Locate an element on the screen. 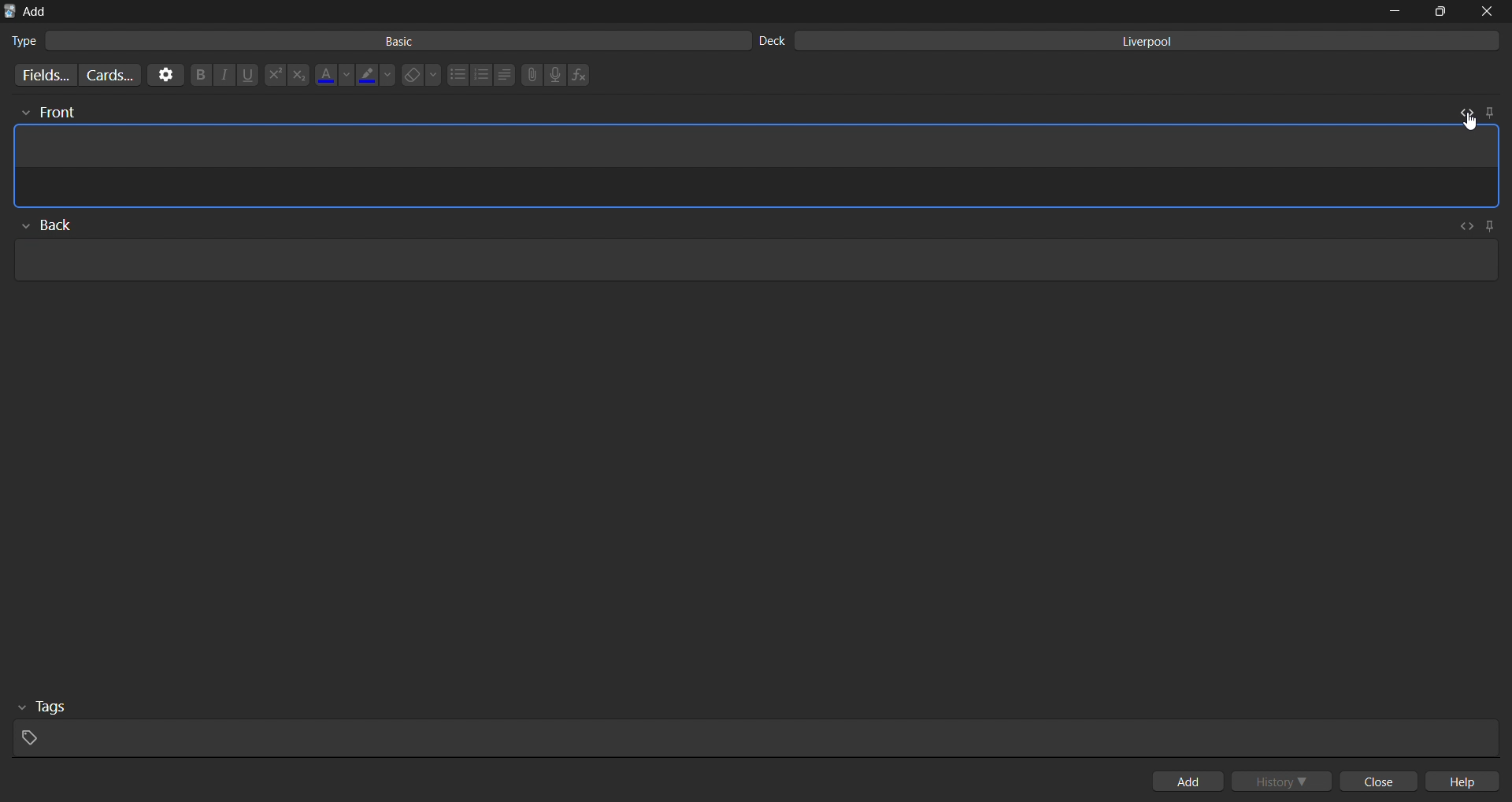 This screenshot has height=802, width=1512. history is located at coordinates (1285, 780).